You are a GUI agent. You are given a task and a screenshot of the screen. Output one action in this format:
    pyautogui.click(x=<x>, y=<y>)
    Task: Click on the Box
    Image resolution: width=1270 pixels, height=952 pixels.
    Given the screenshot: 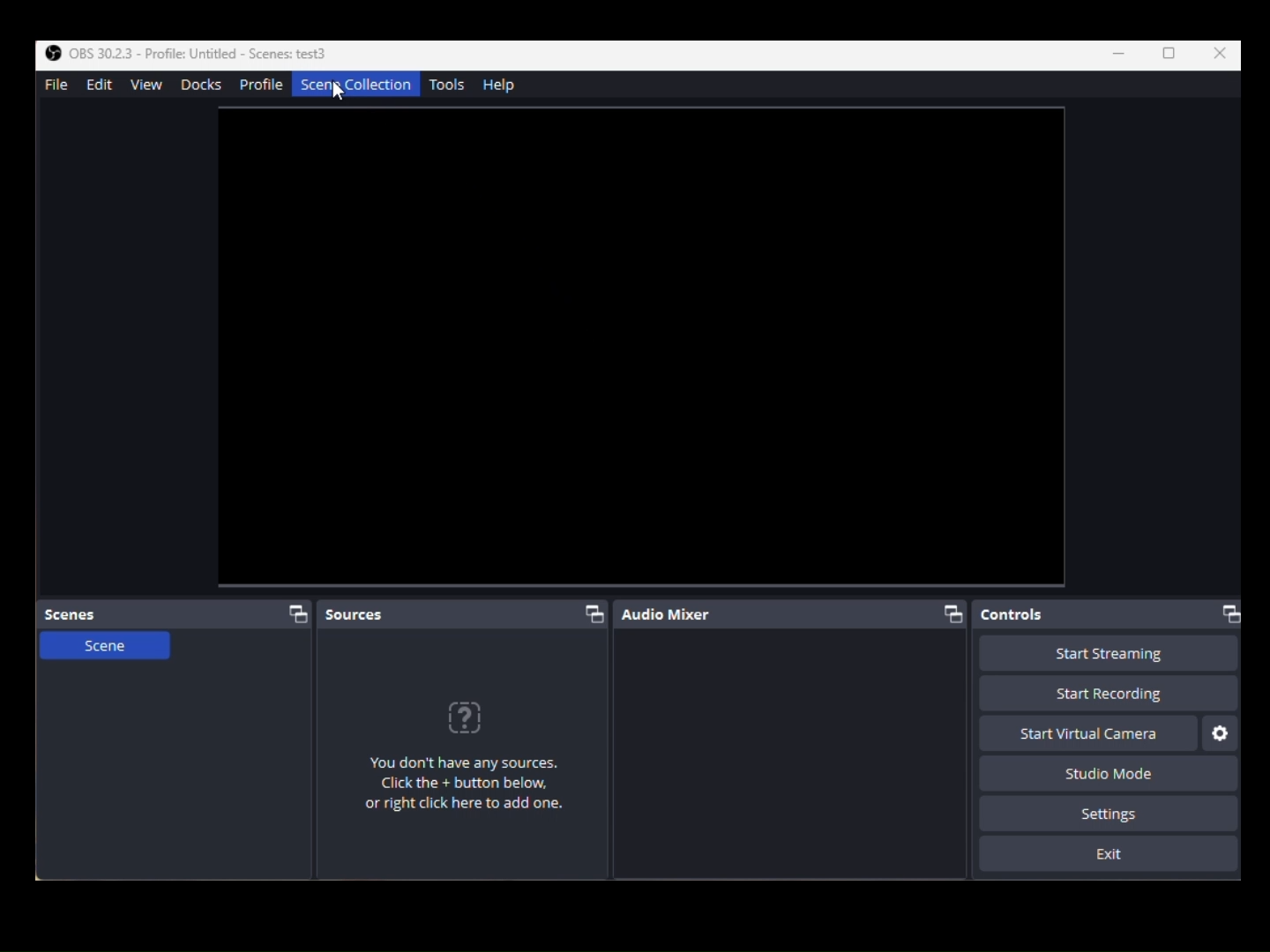 What is the action you would take?
    pyautogui.click(x=1170, y=55)
    